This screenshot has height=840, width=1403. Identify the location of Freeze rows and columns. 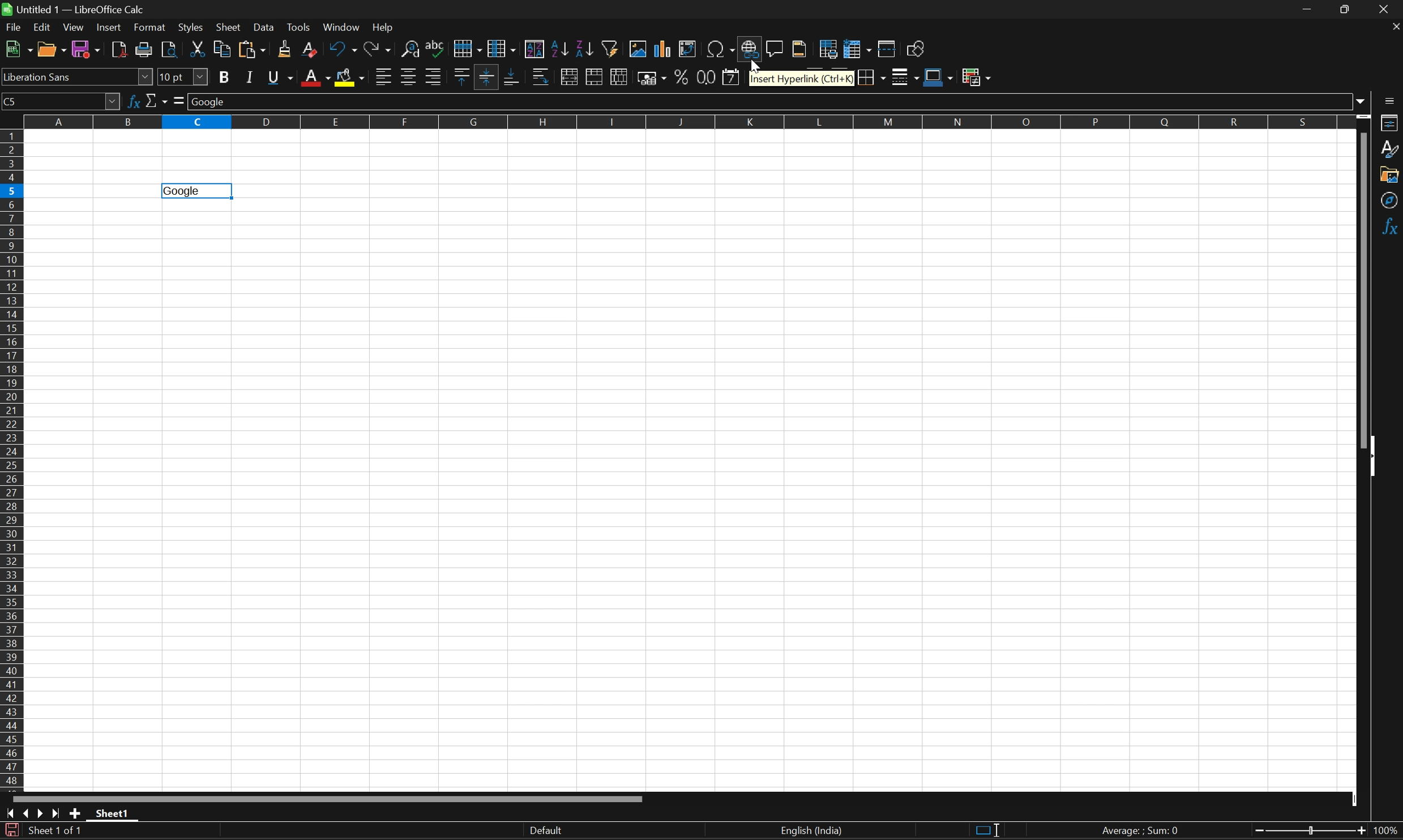
(858, 48).